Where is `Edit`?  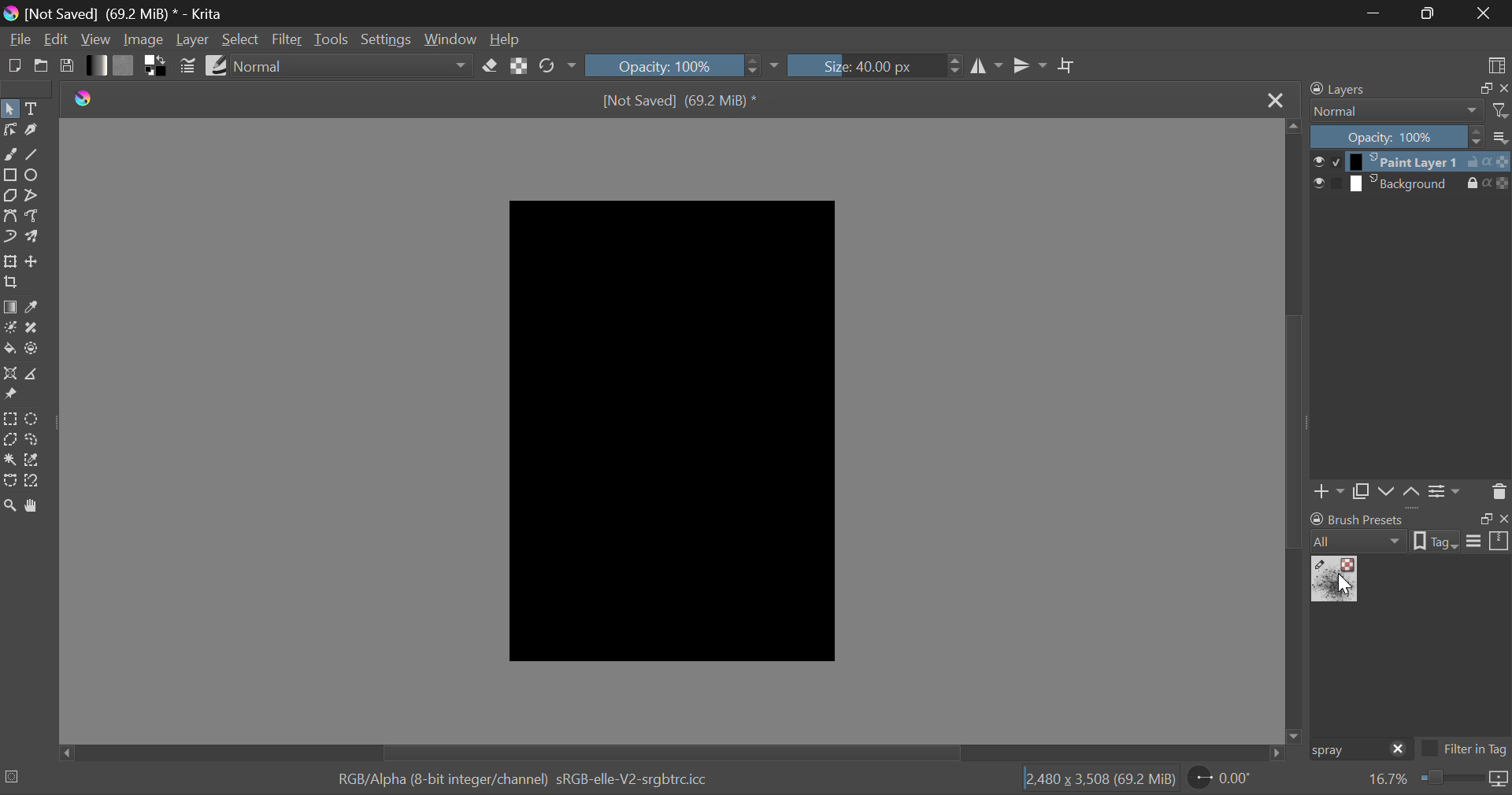
Edit is located at coordinates (57, 39).